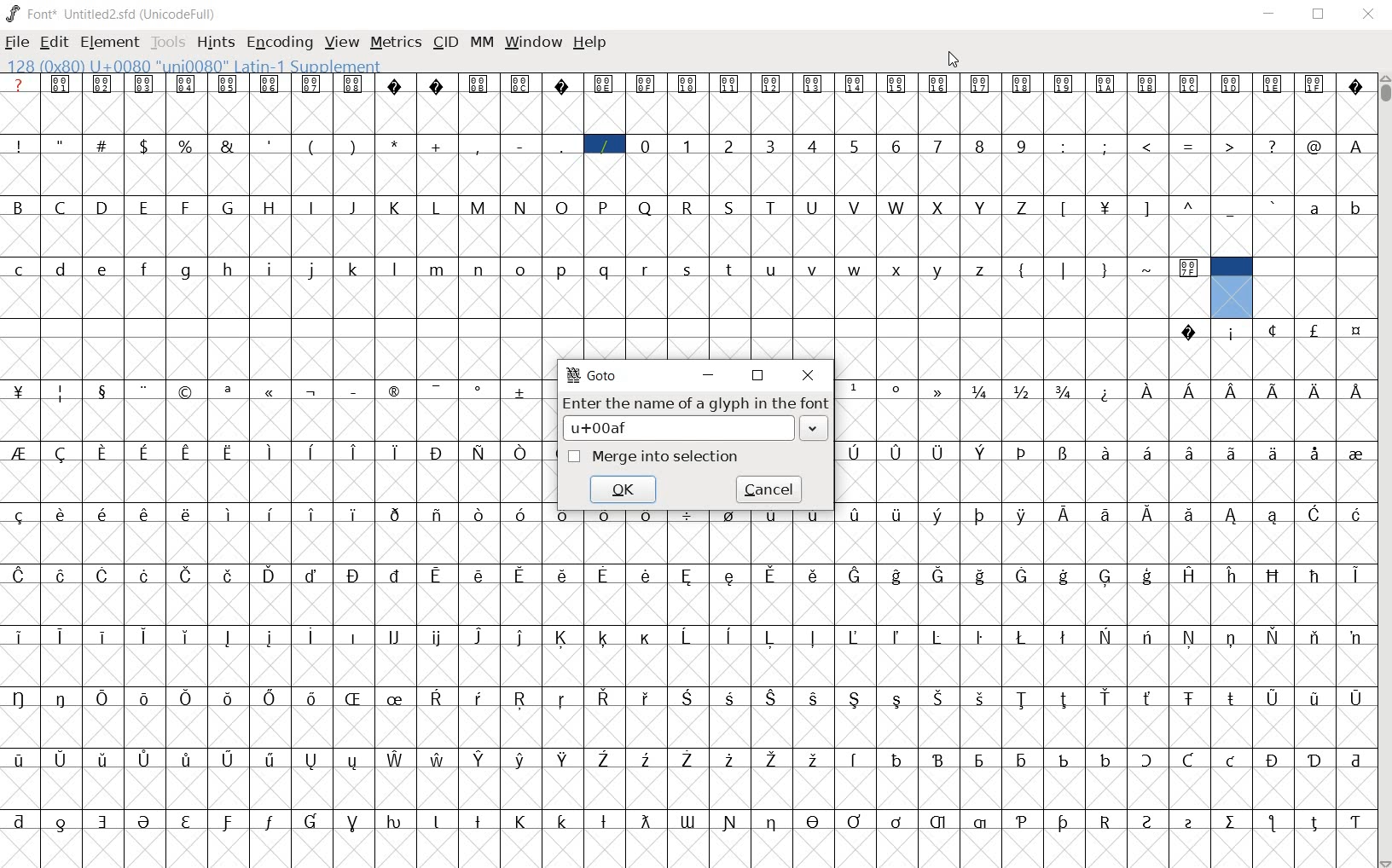 Image resolution: width=1392 pixels, height=868 pixels. What do you see at coordinates (940, 84) in the screenshot?
I see `Symbol` at bounding box center [940, 84].